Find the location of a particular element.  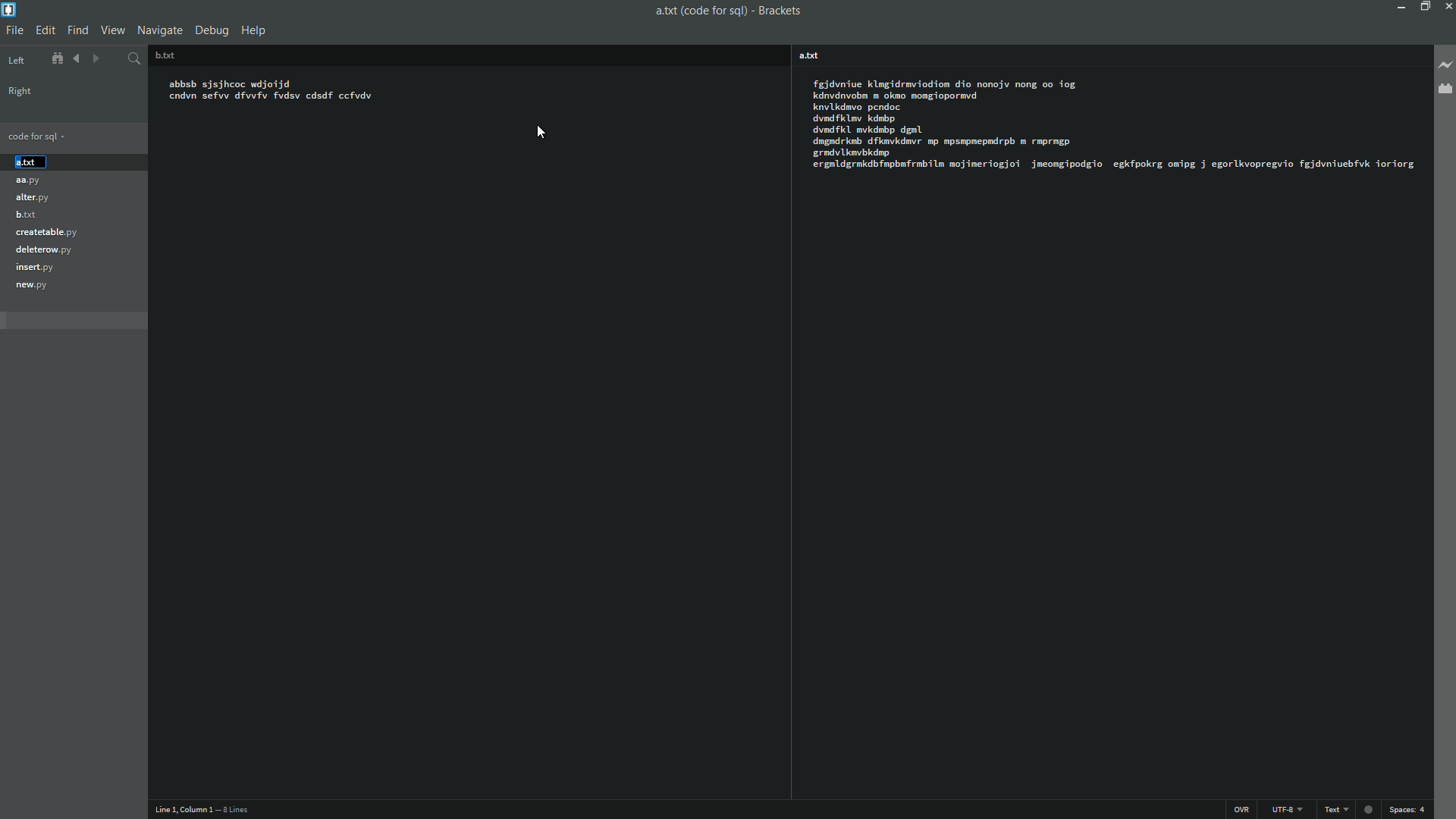

File encoding is located at coordinates (1289, 810).